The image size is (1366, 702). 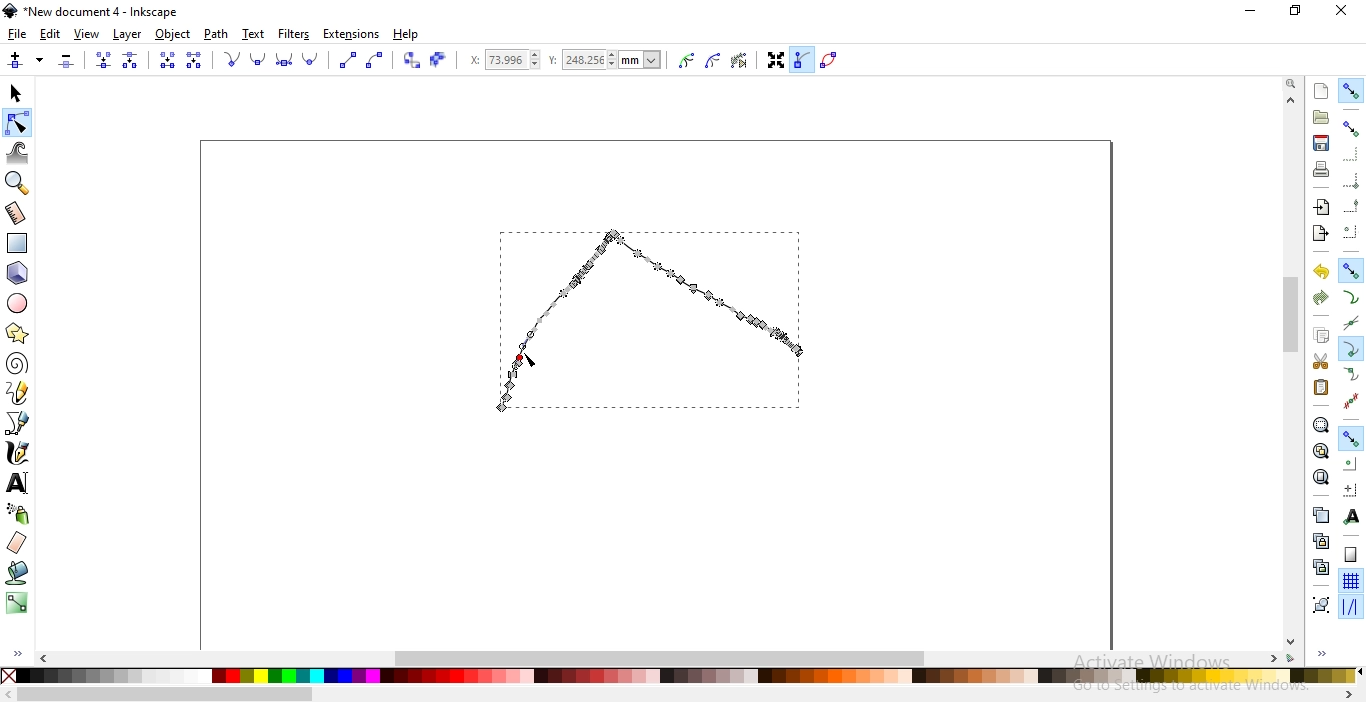 I want to click on extensions, so click(x=351, y=35).